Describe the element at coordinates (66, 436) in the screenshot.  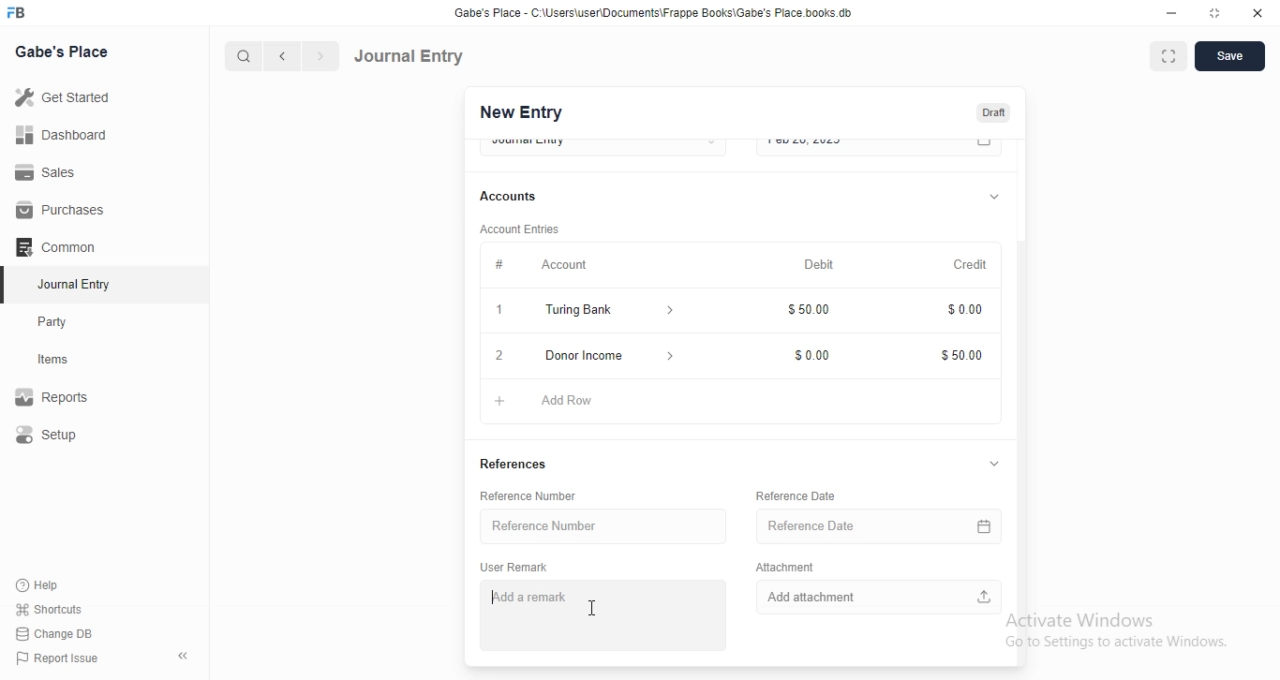
I see `Setup` at that location.